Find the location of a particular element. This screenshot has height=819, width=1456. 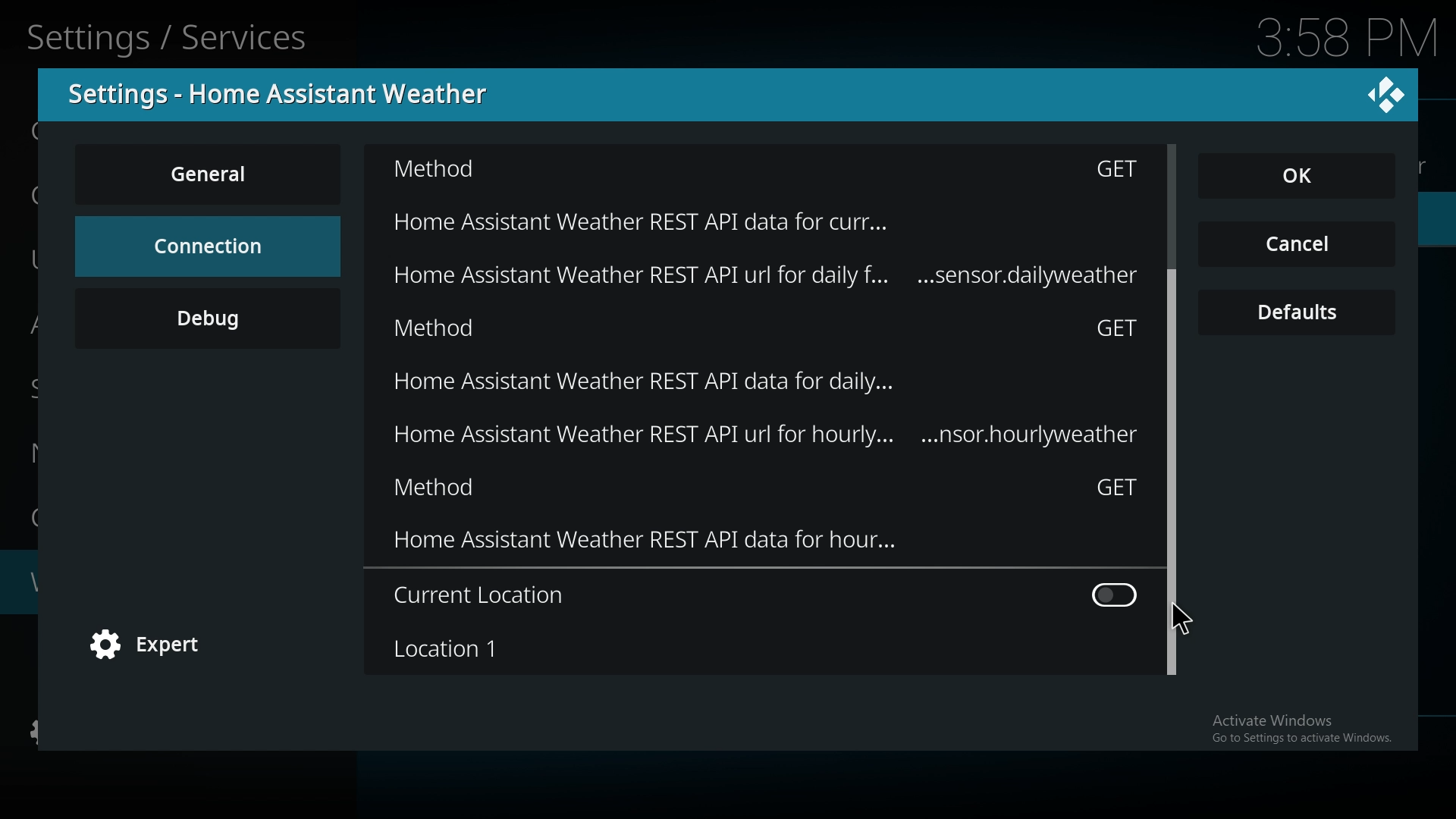

expert is located at coordinates (155, 646).